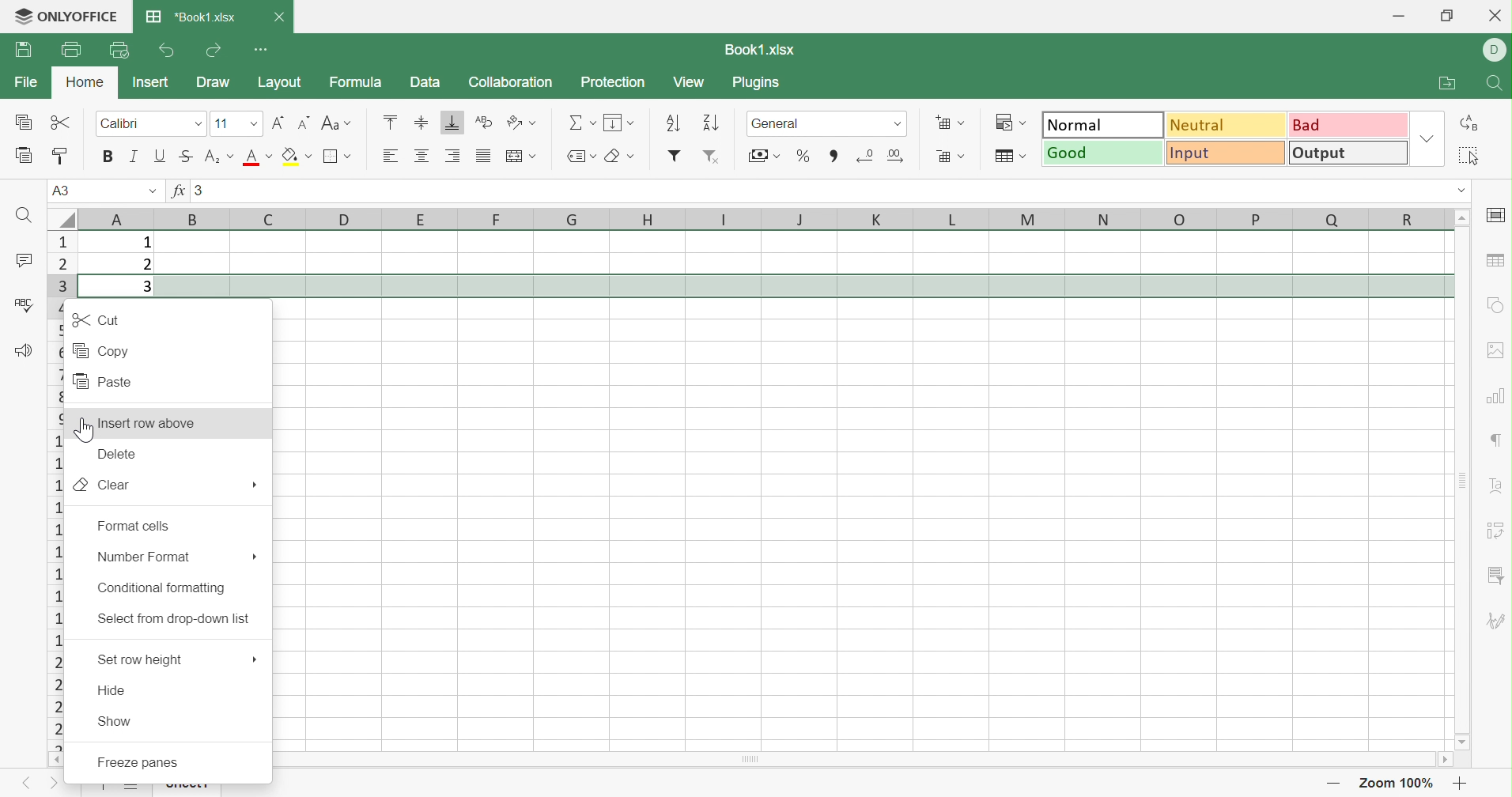  Describe the element at coordinates (751, 218) in the screenshot. I see `Column Names` at that location.